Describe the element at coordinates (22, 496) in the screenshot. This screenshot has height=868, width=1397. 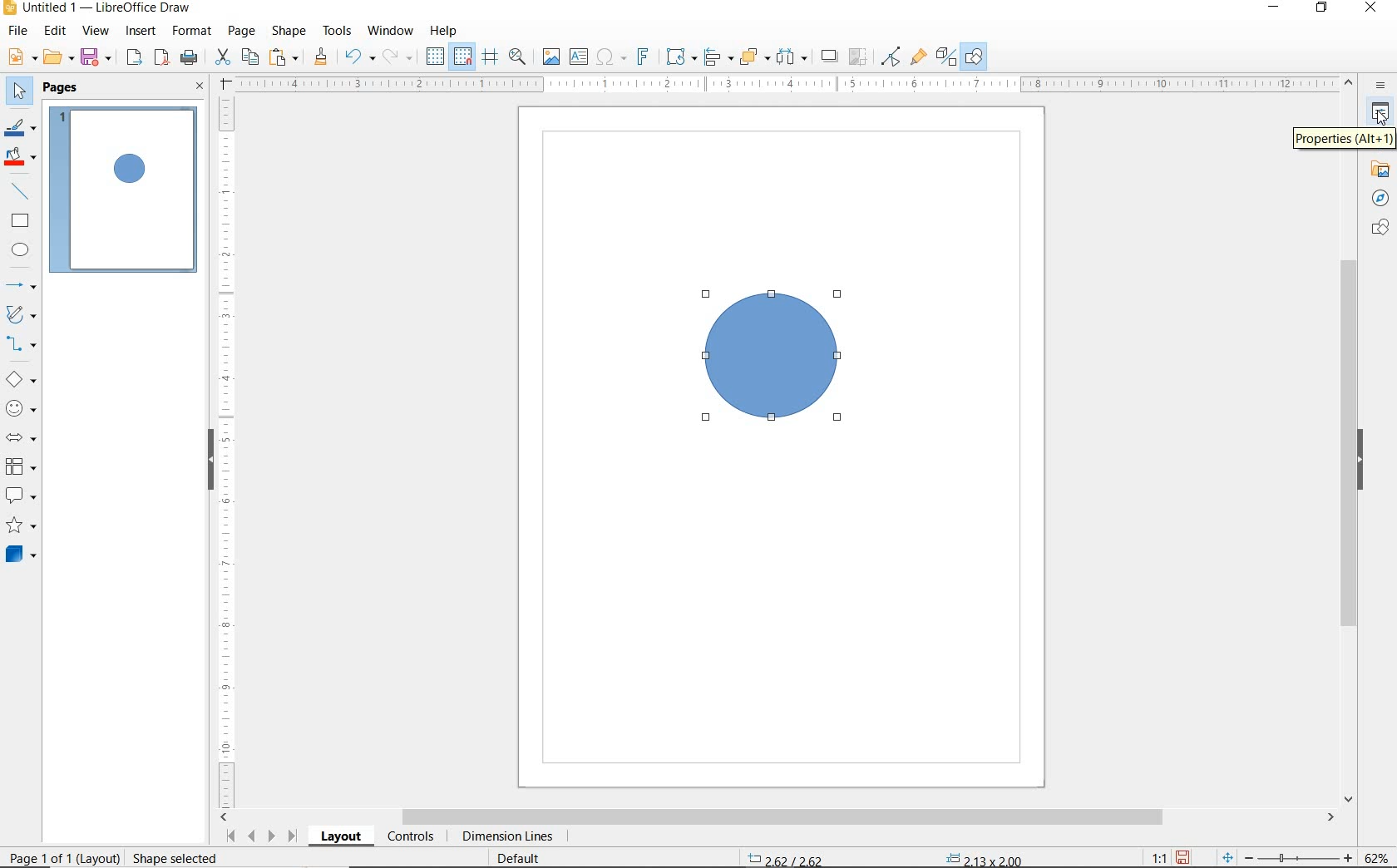
I see `CALLOUT SHAPES` at that location.